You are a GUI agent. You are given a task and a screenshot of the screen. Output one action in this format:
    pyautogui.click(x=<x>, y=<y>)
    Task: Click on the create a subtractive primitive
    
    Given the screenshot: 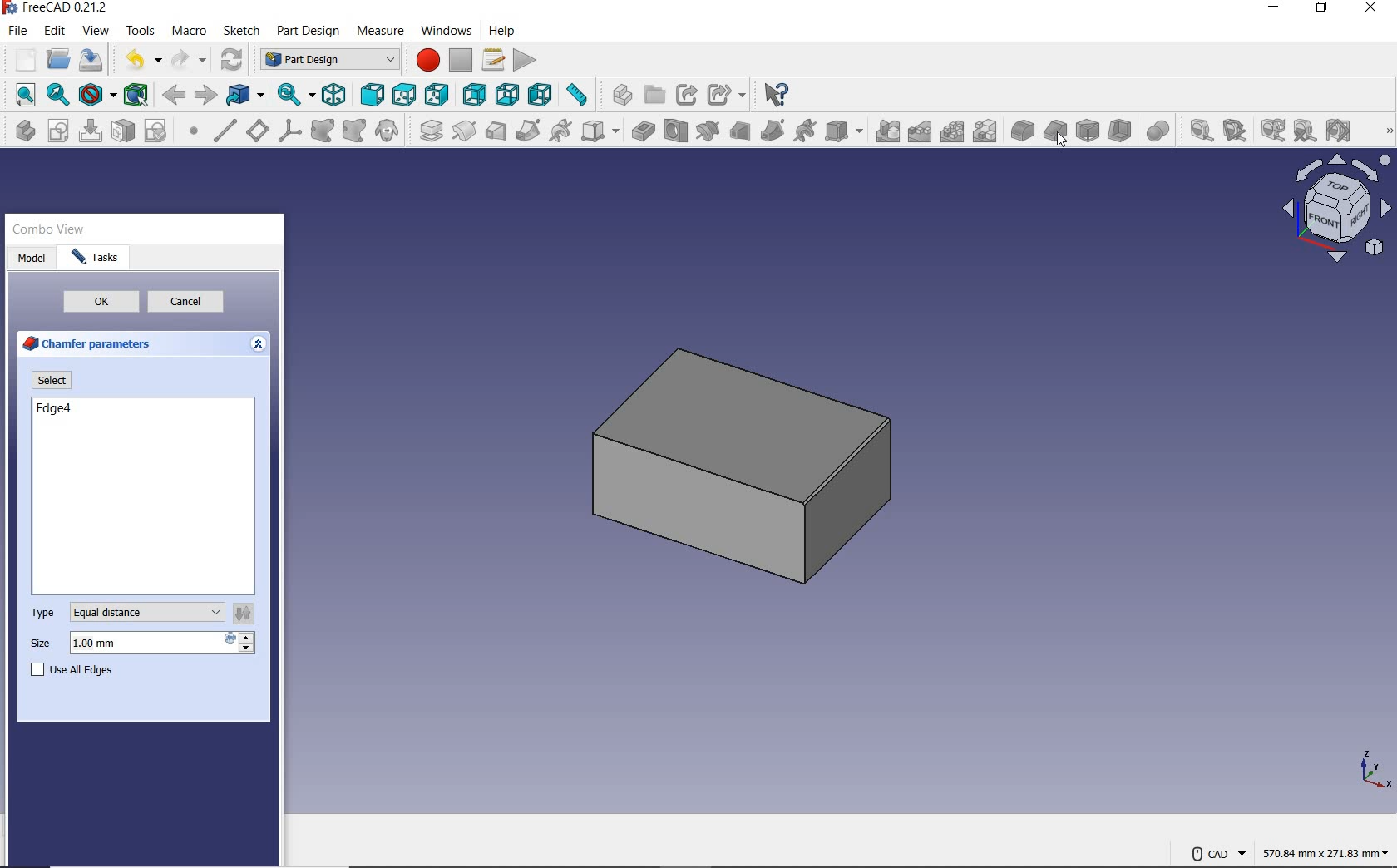 What is the action you would take?
    pyautogui.click(x=846, y=131)
    